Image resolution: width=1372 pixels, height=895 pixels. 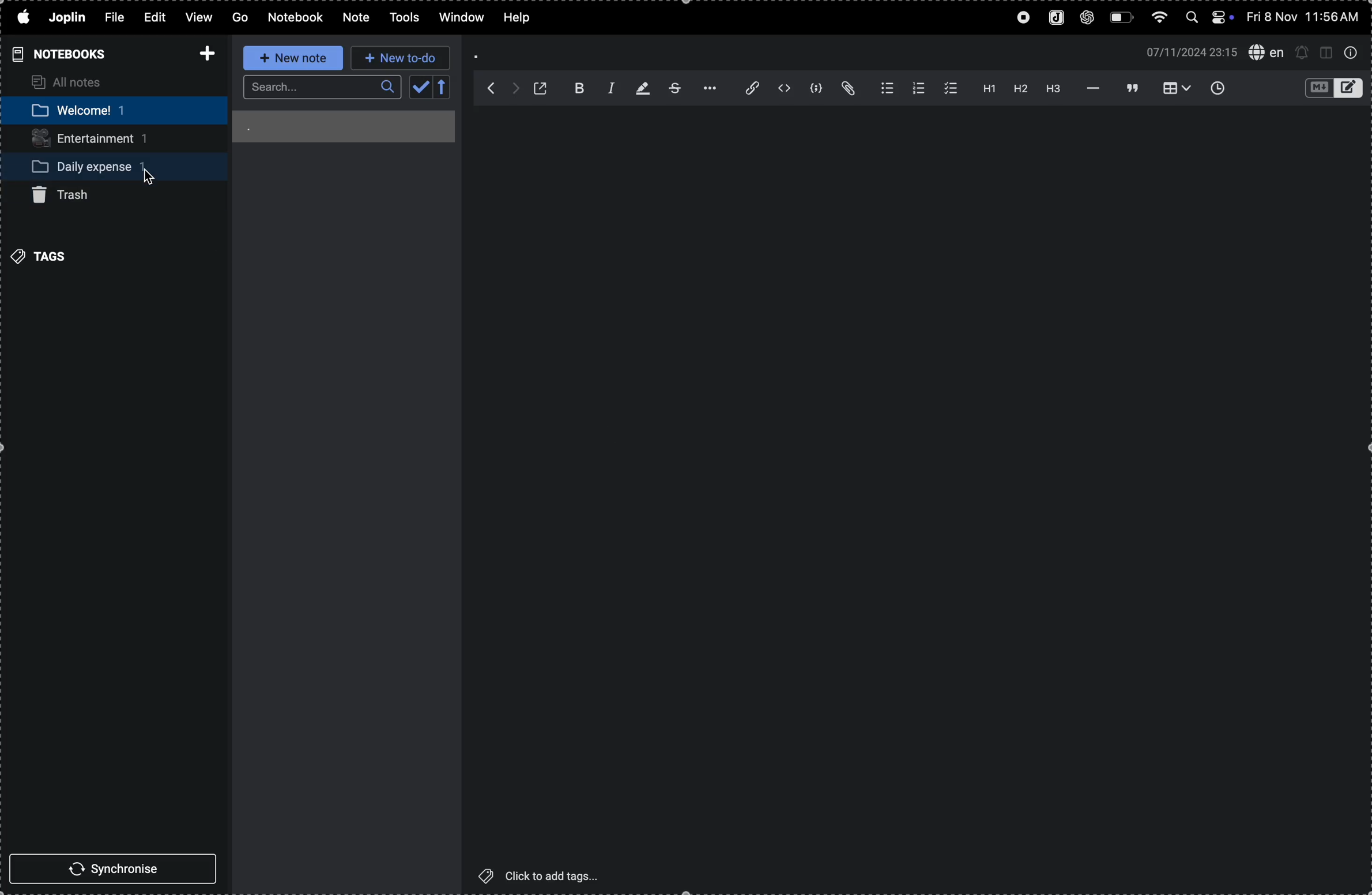 I want to click on chatgpt, so click(x=1088, y=18).